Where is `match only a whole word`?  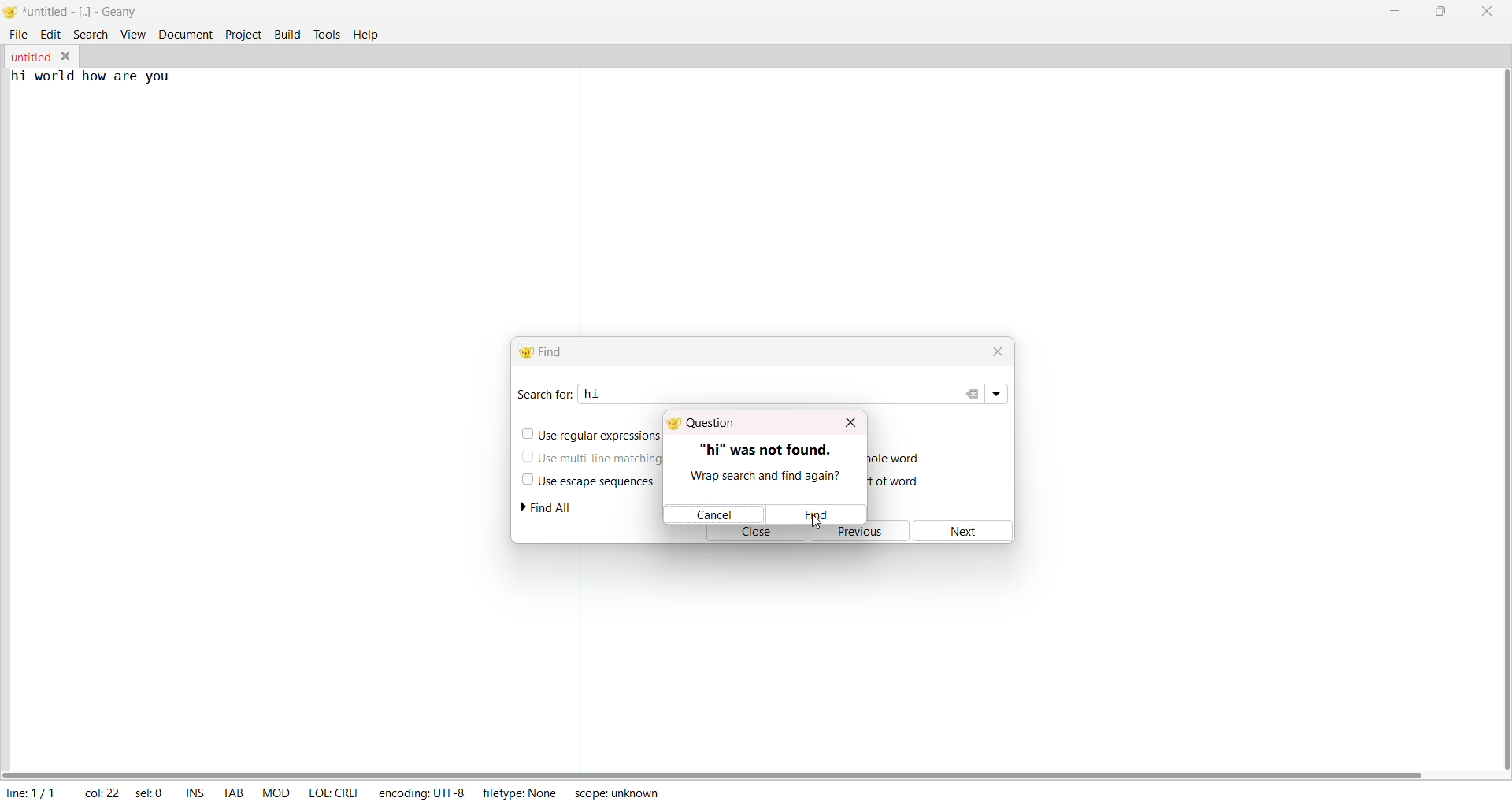 match only a whole word is located at coordinates (897, 457).